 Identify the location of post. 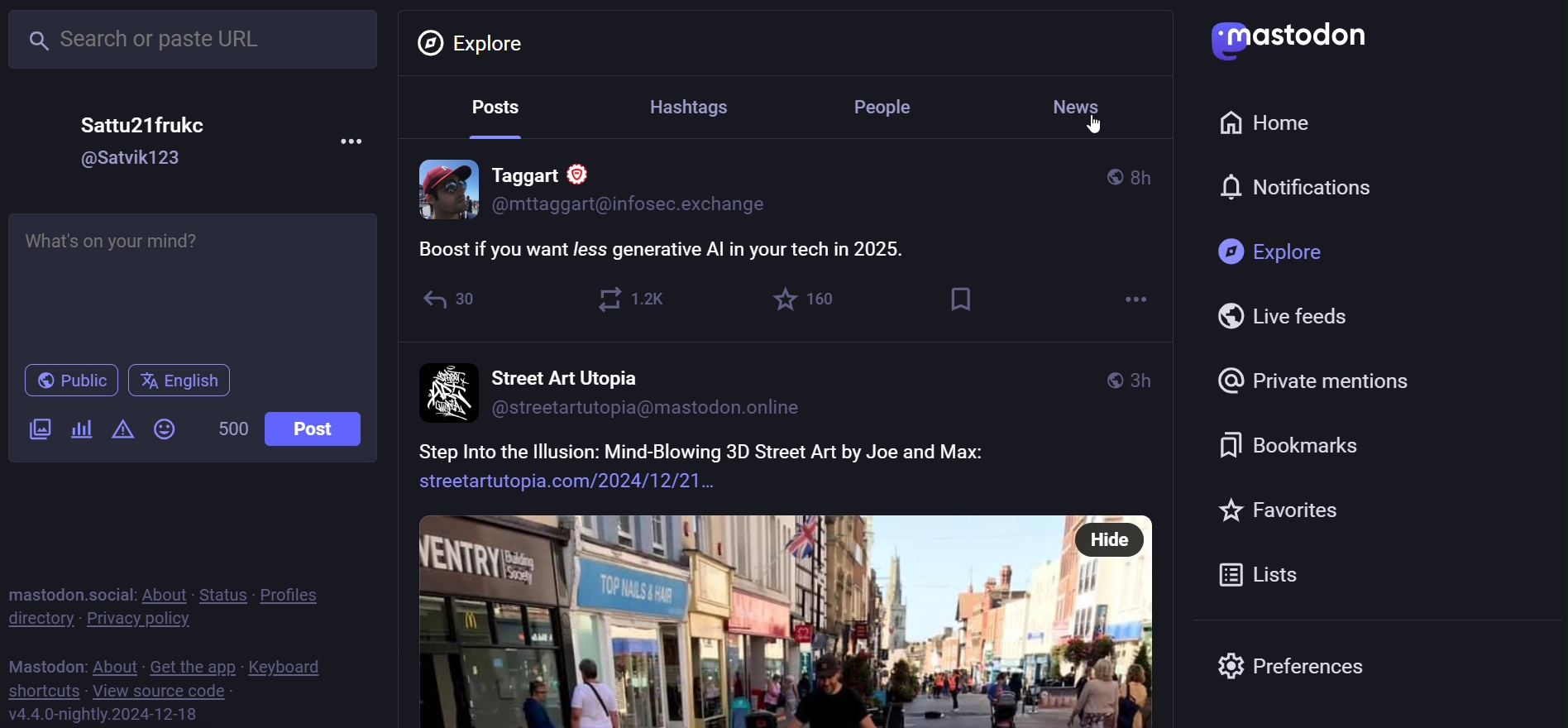
(317, 430).